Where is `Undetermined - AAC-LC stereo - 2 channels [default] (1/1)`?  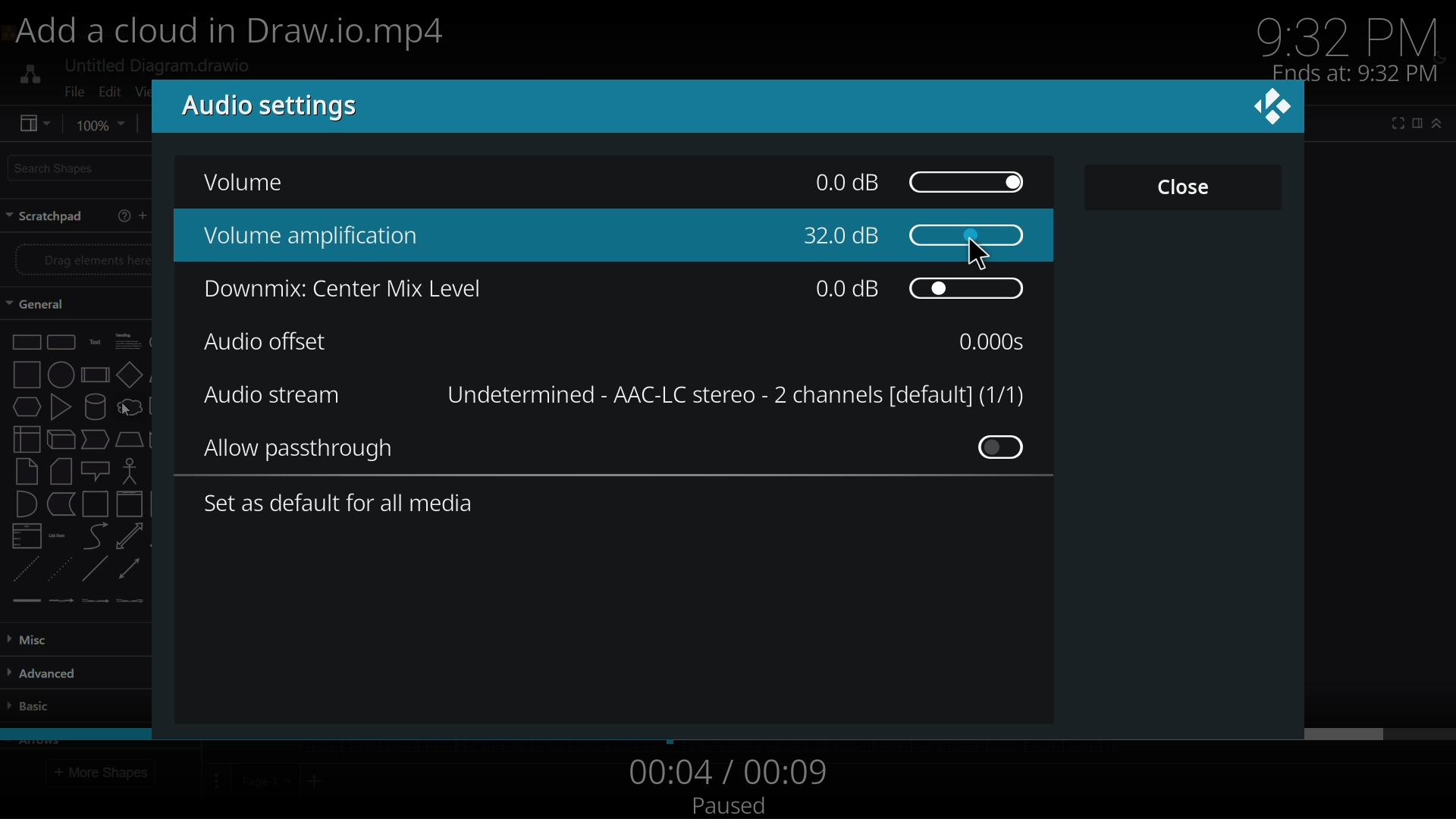 Undetermined - AAC-LC stereo - 2 channels [default] (1/1) is located at coordinates (730, 394).